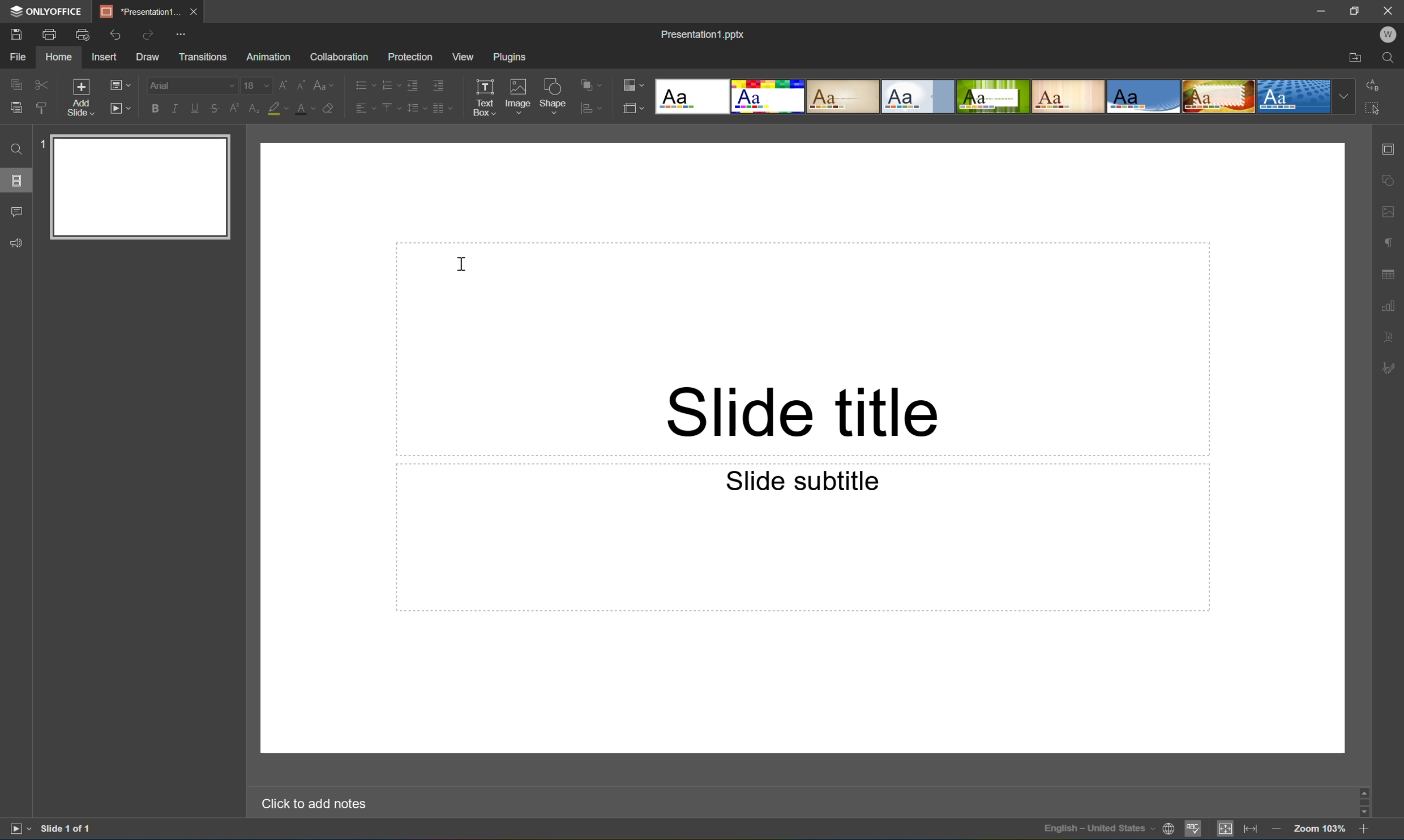  What do you see at coordinates (702, 36) in the screenshot?
I see `Presentation1.pptx` at bounding box center [702, 36].